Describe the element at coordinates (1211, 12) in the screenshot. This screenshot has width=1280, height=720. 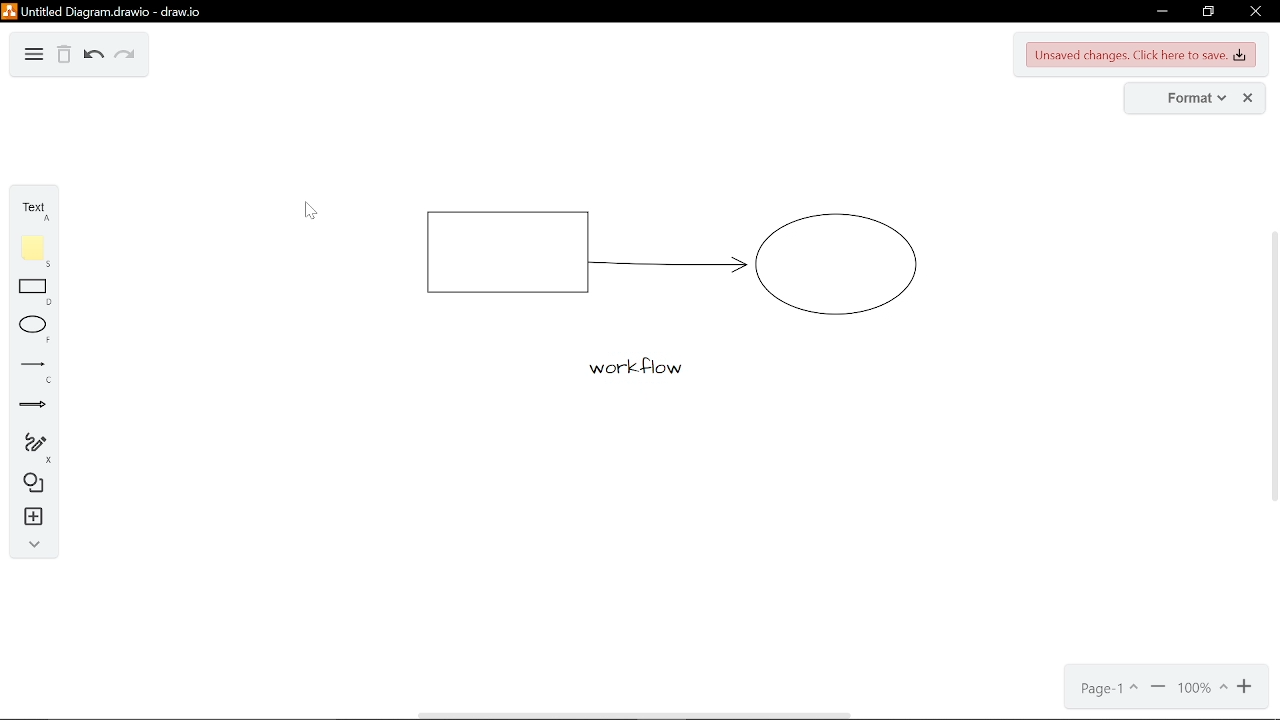
I see `restore down` at that location.